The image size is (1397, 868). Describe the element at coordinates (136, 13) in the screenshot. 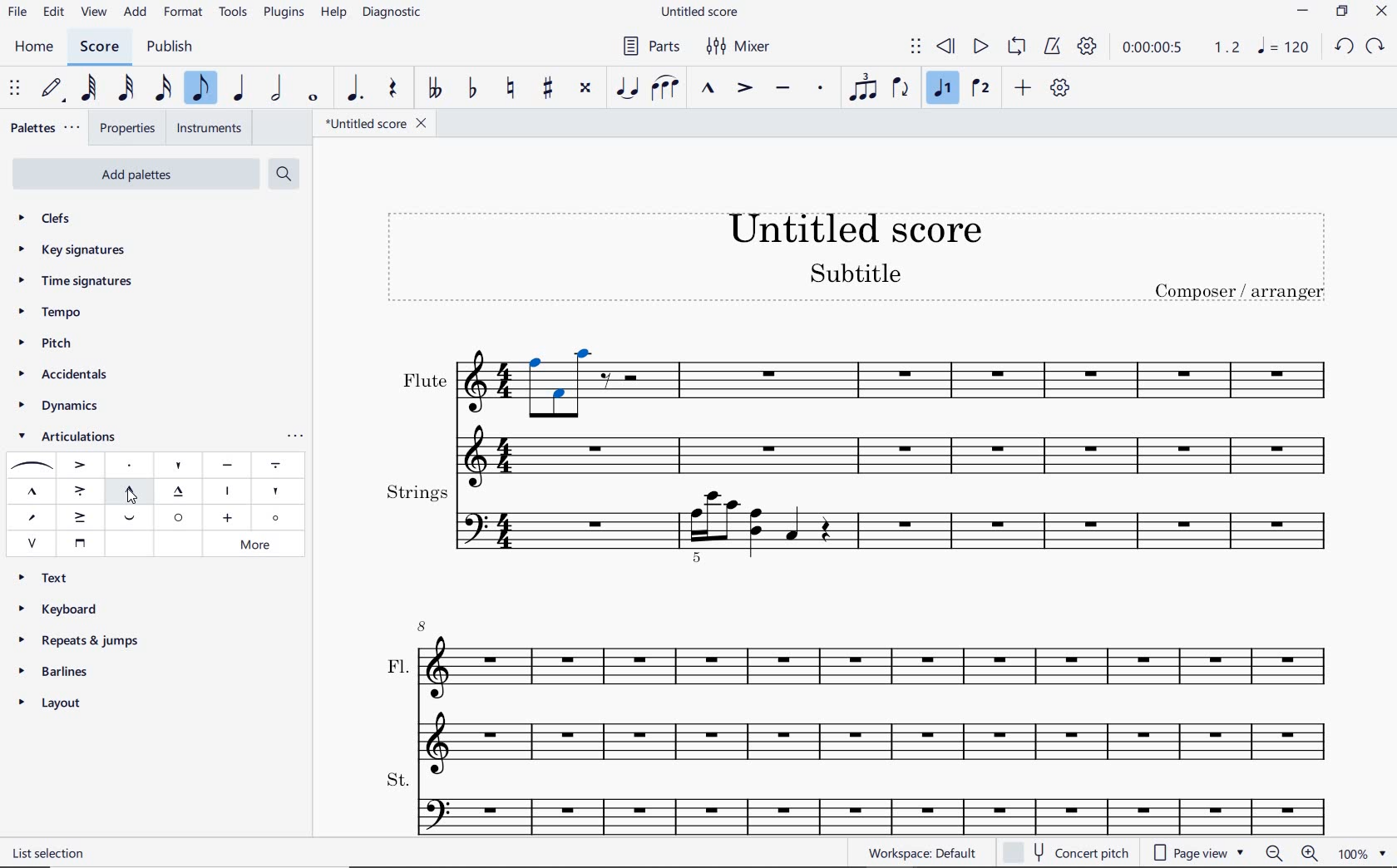

I see `add` at that location.